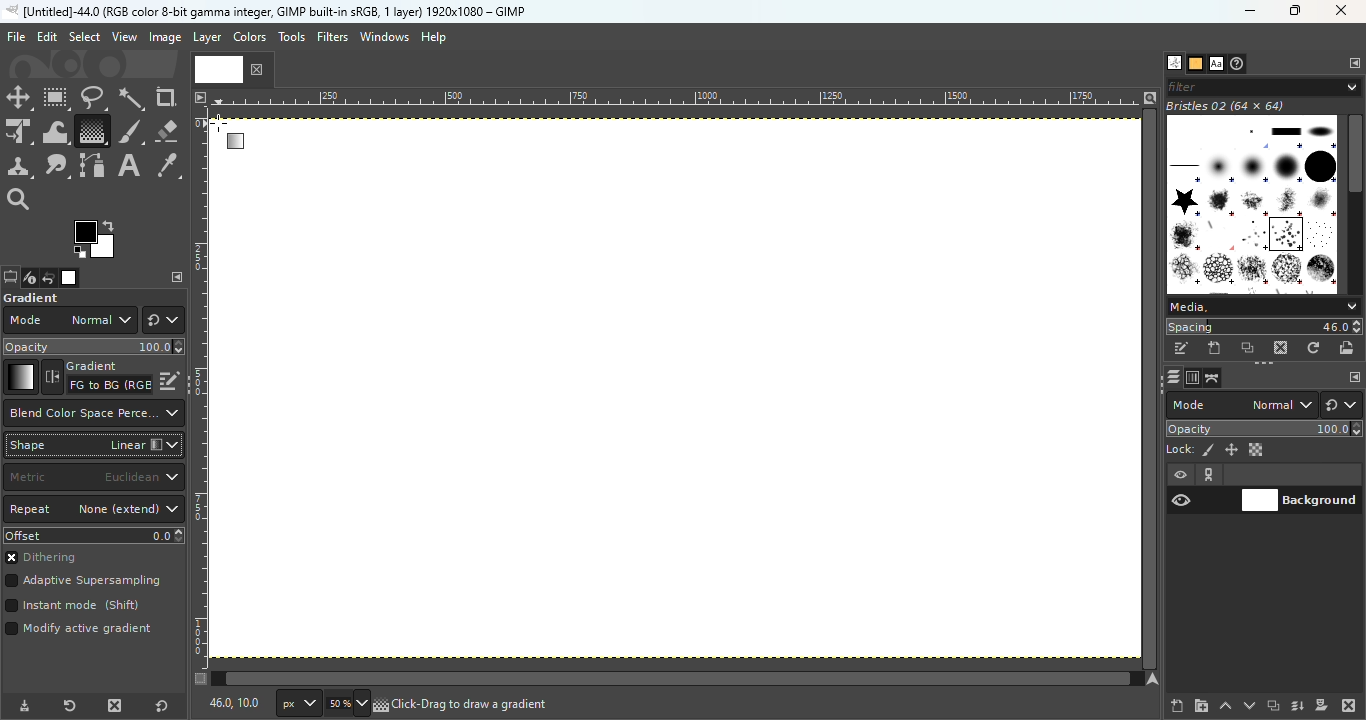 Image resolution: width=1366 pixels, height=720 pixels. I want to click on Layer, so click(206, 38).